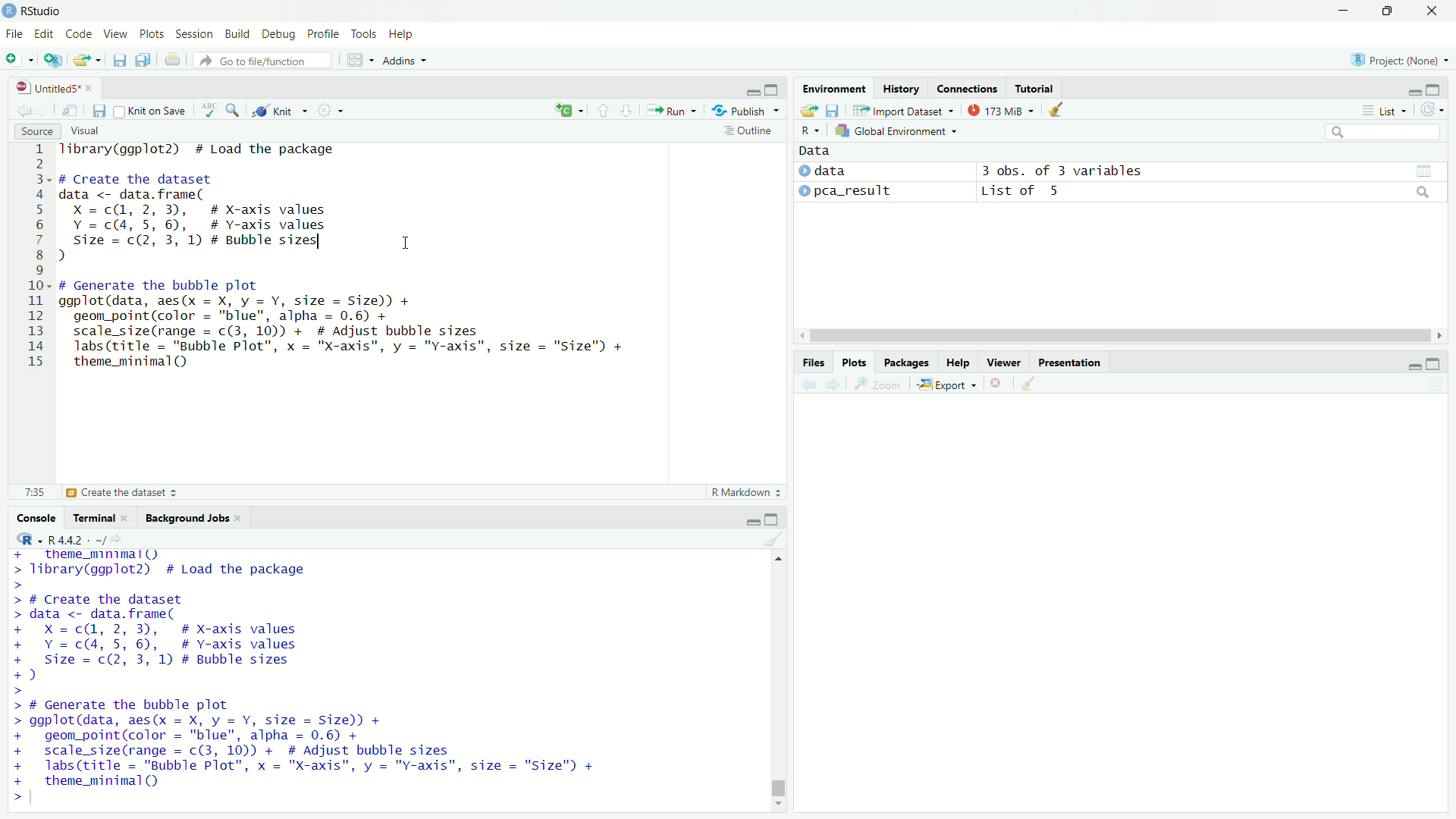 The width and height of the screenshot is (1456, 819). Describe the element at coordinates (847, 190) in the screenshot. I see `data 2 : pca_result` at that location.